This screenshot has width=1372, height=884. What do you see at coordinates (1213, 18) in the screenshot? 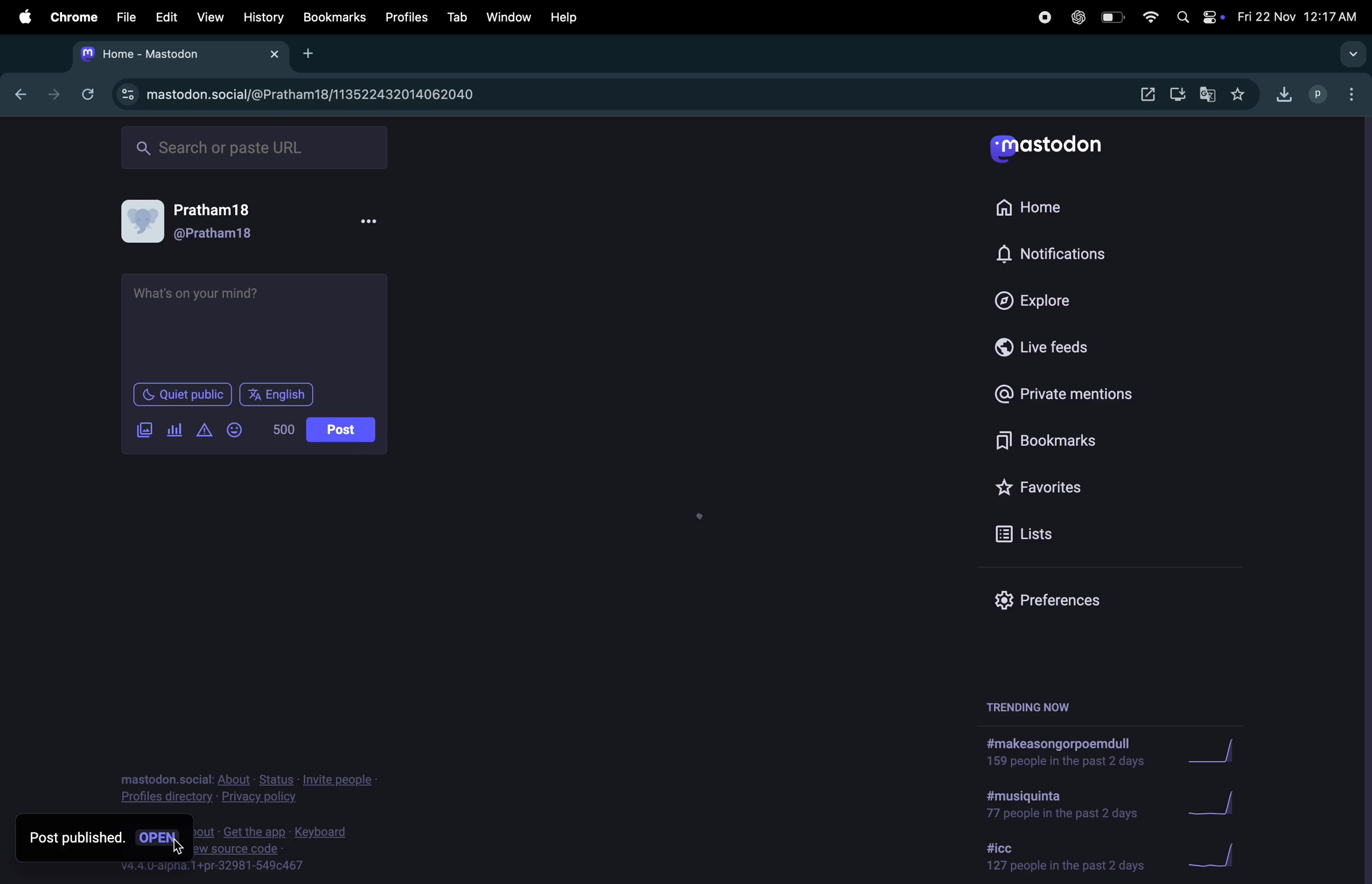
I see `apple widgets` at bounding box center [1213, 18].